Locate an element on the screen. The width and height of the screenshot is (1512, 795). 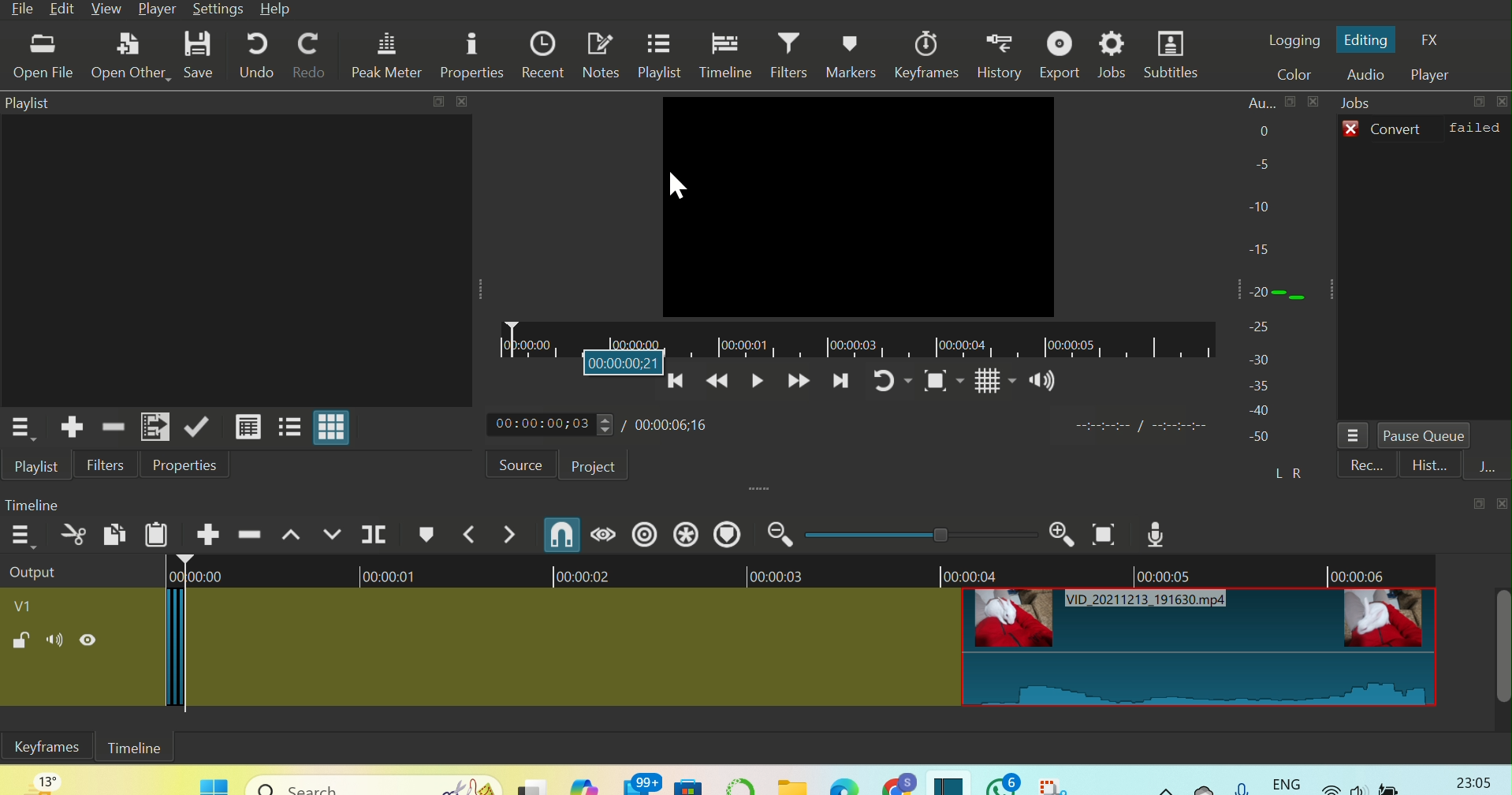
Marker is located at coordinates (428, 534).